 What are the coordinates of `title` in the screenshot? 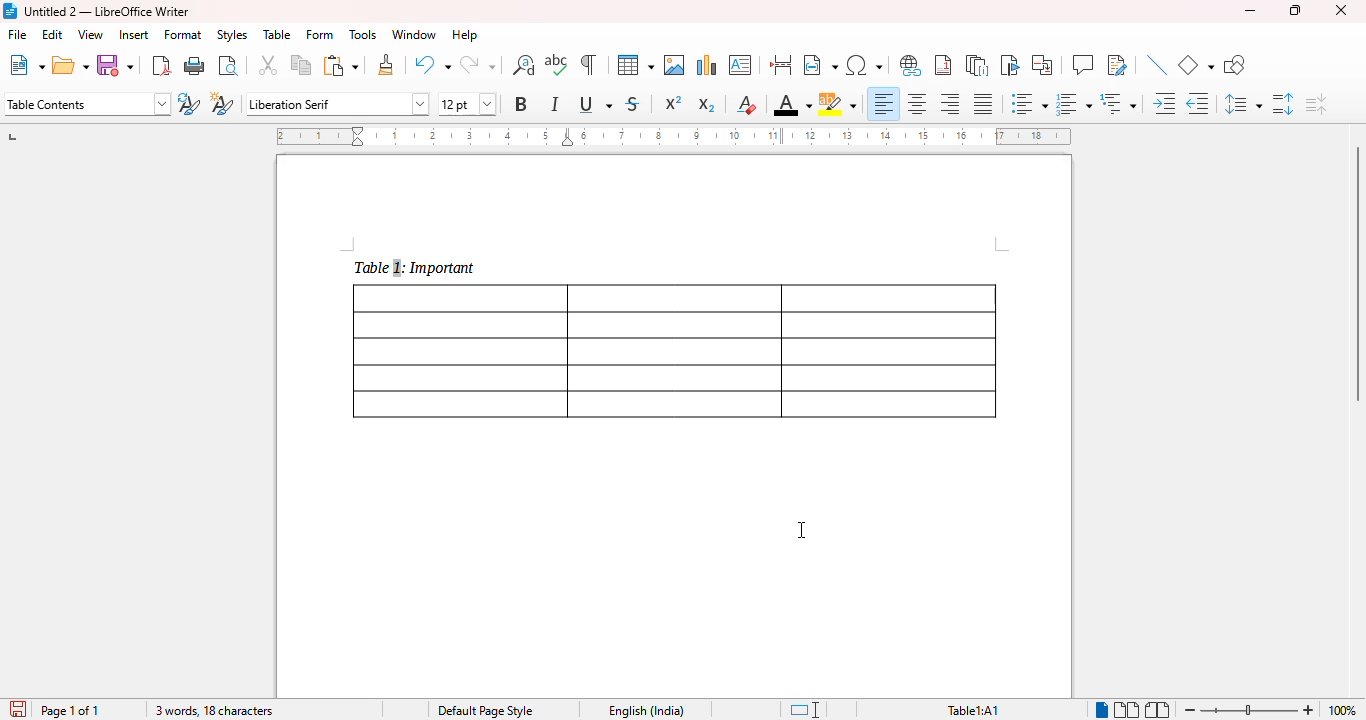 It's located at (107, 12).